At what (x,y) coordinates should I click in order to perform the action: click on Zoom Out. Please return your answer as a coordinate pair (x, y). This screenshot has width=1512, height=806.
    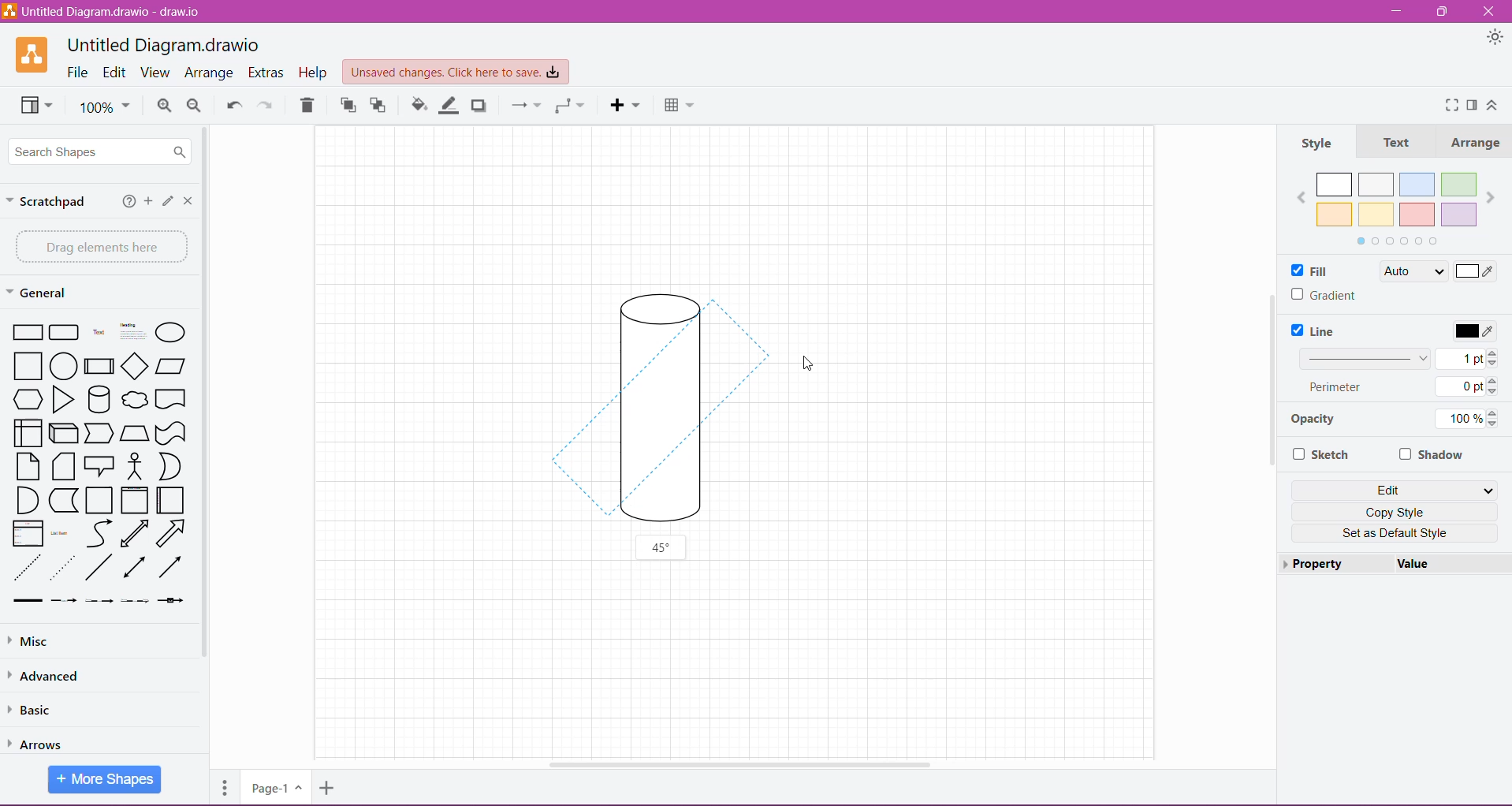
    Looking at the image, I should click on (195, 106).